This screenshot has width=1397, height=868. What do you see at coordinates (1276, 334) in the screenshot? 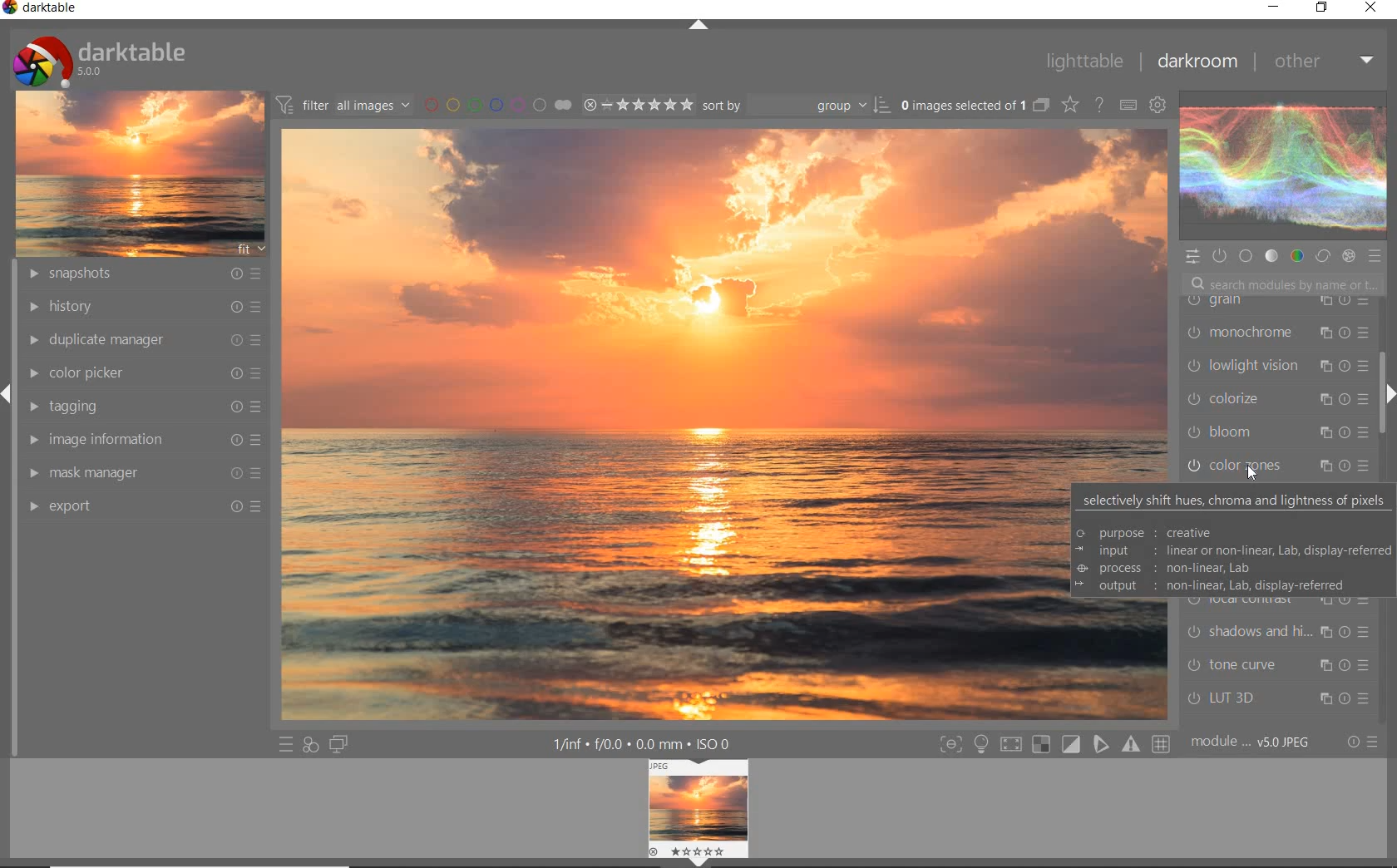
I see `monochrome` at bounding box center [1276, 334].